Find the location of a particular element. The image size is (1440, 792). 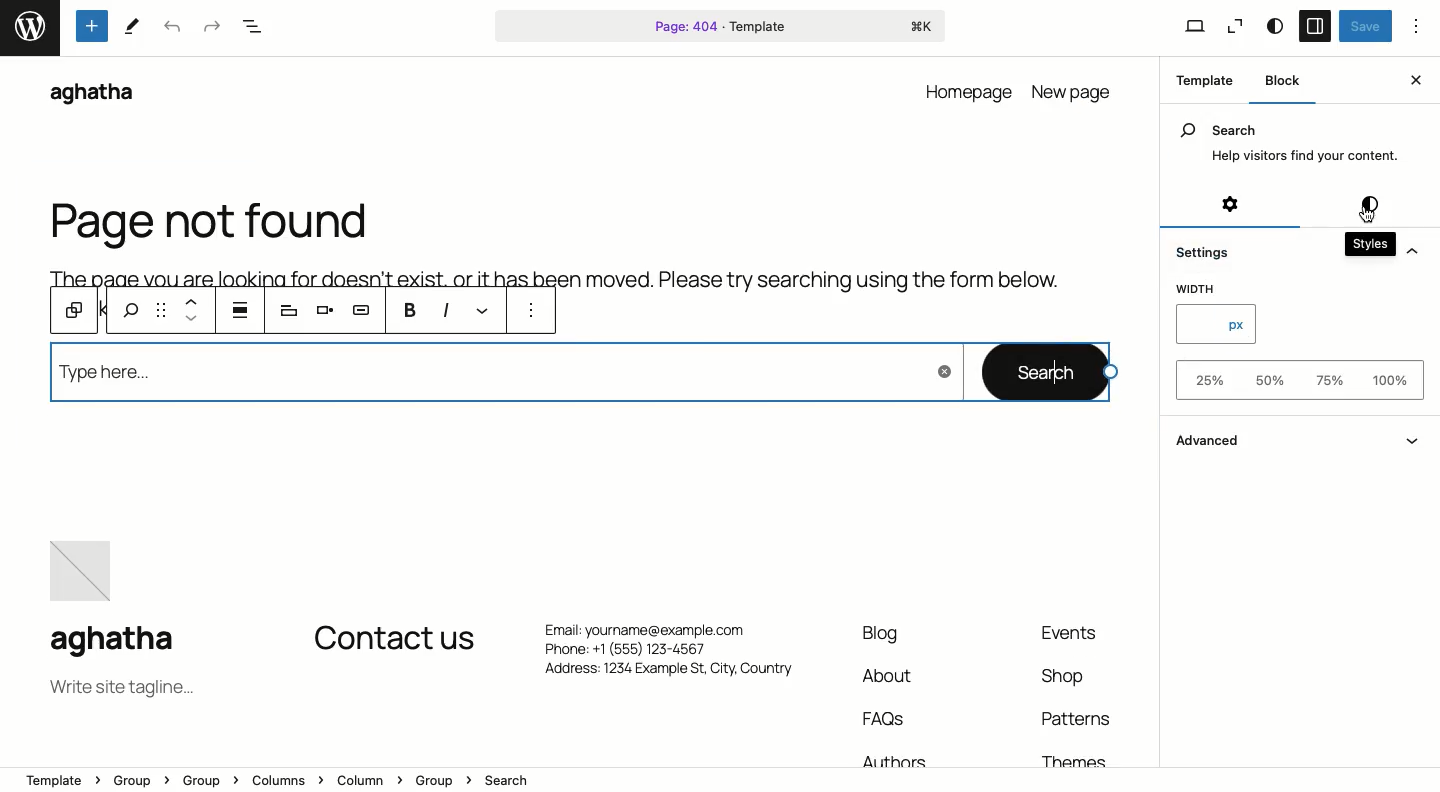

aghatha is located at coordinates (90, 93).